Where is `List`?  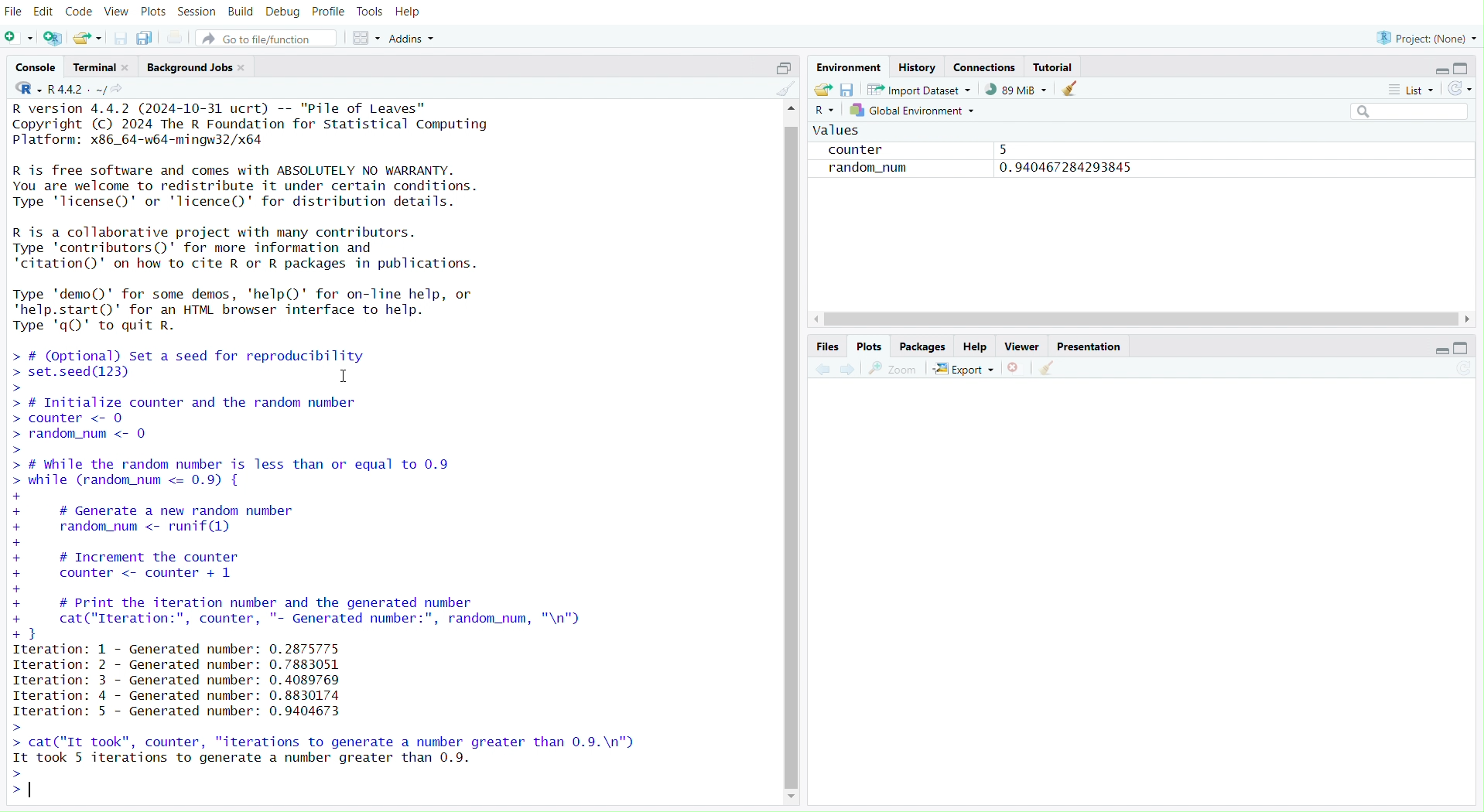
List is located at coordinates (1412, 88).